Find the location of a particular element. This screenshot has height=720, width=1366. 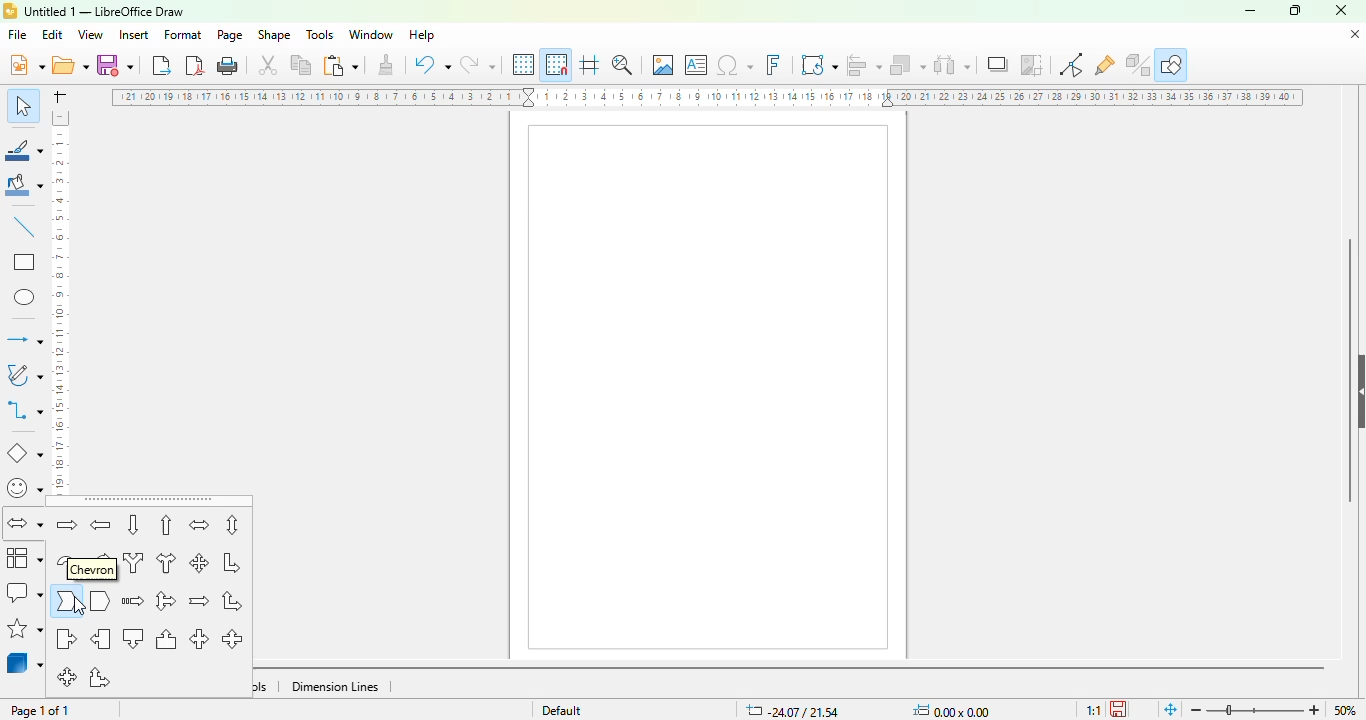

up arrow is located at coordinates (165, 526).